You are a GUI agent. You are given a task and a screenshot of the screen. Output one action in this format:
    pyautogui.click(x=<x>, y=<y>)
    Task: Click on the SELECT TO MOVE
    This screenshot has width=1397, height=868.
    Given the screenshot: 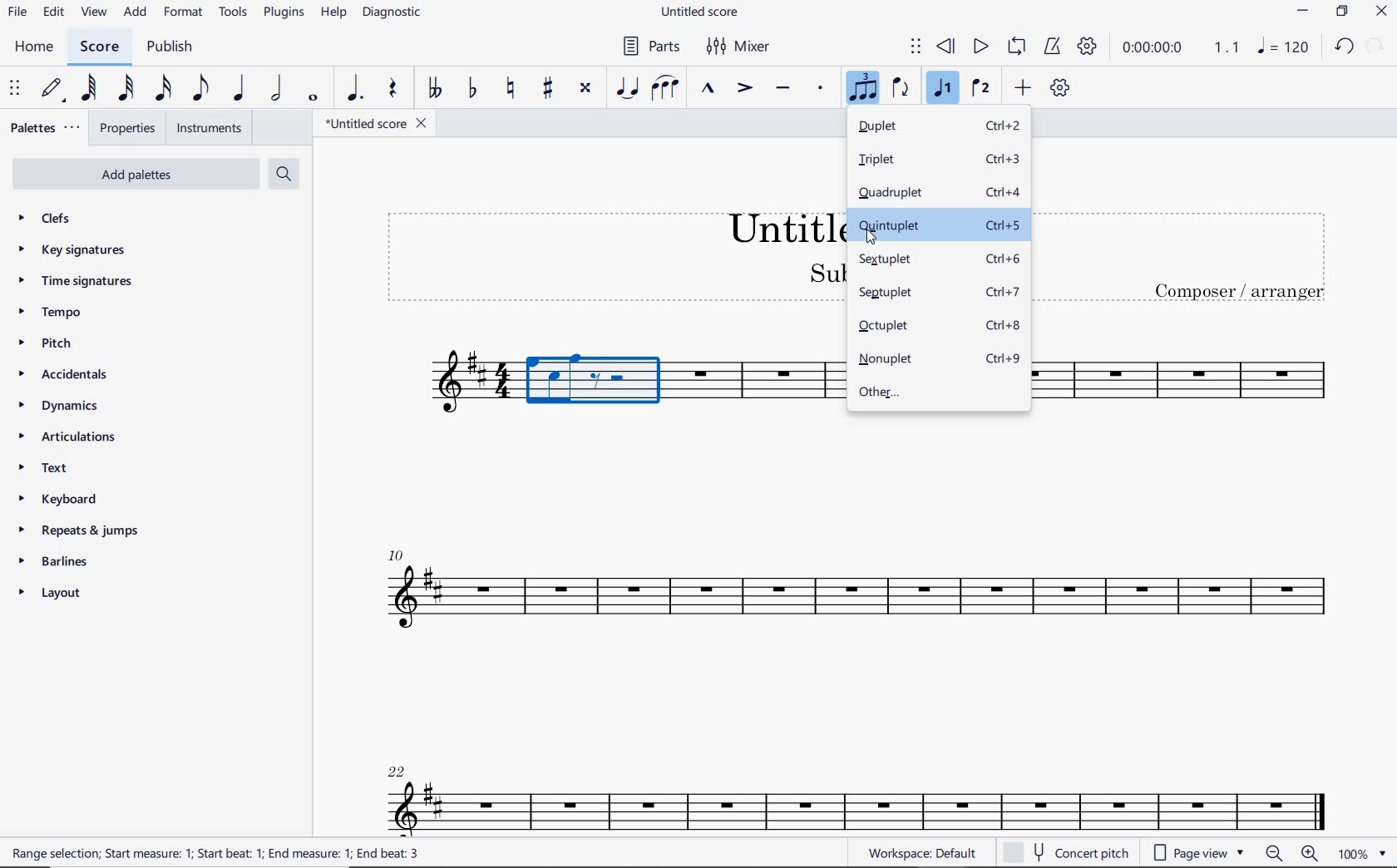 What is the action you would take?
    pyautogui.click(x=916, y=49)
    